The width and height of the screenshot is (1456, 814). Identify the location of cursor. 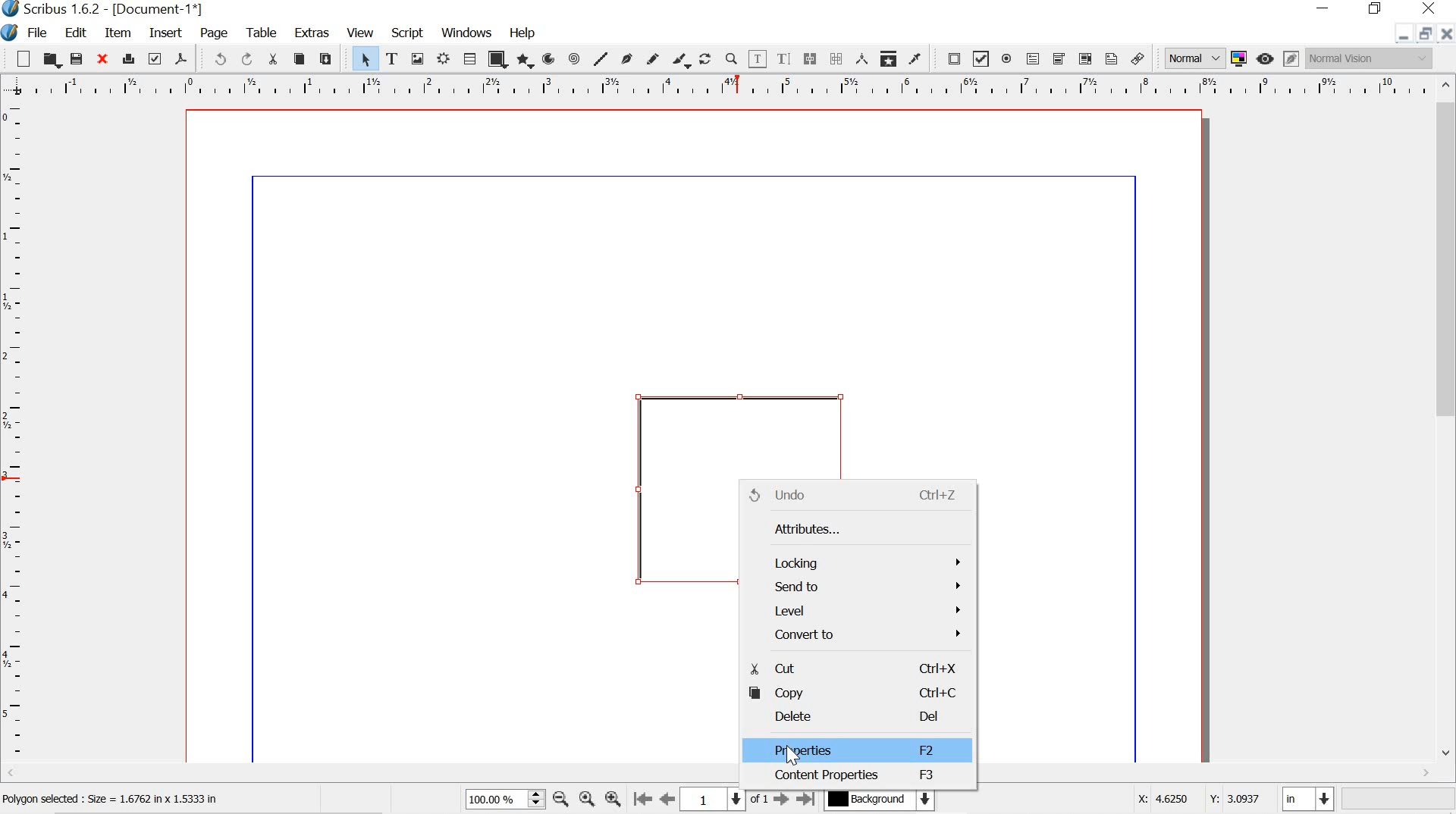
(798, 753).